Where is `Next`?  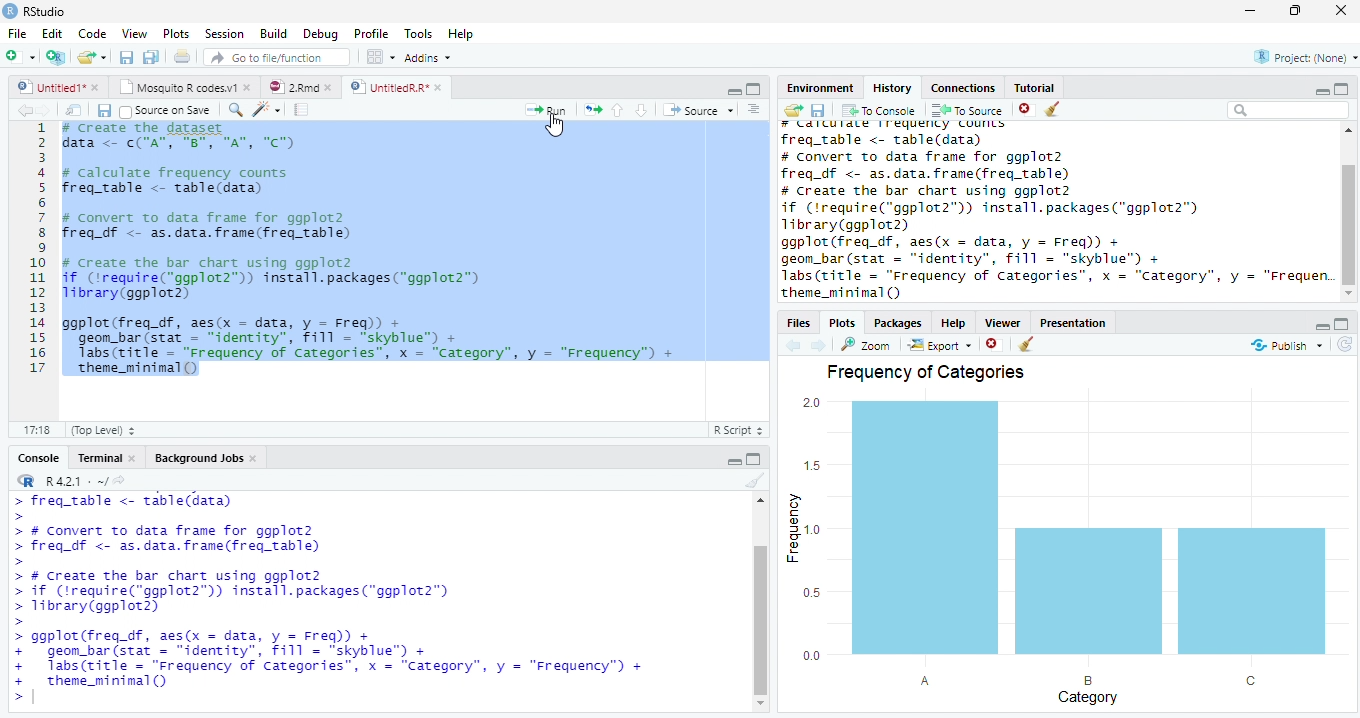
Next is located at coordinates (820, 344).